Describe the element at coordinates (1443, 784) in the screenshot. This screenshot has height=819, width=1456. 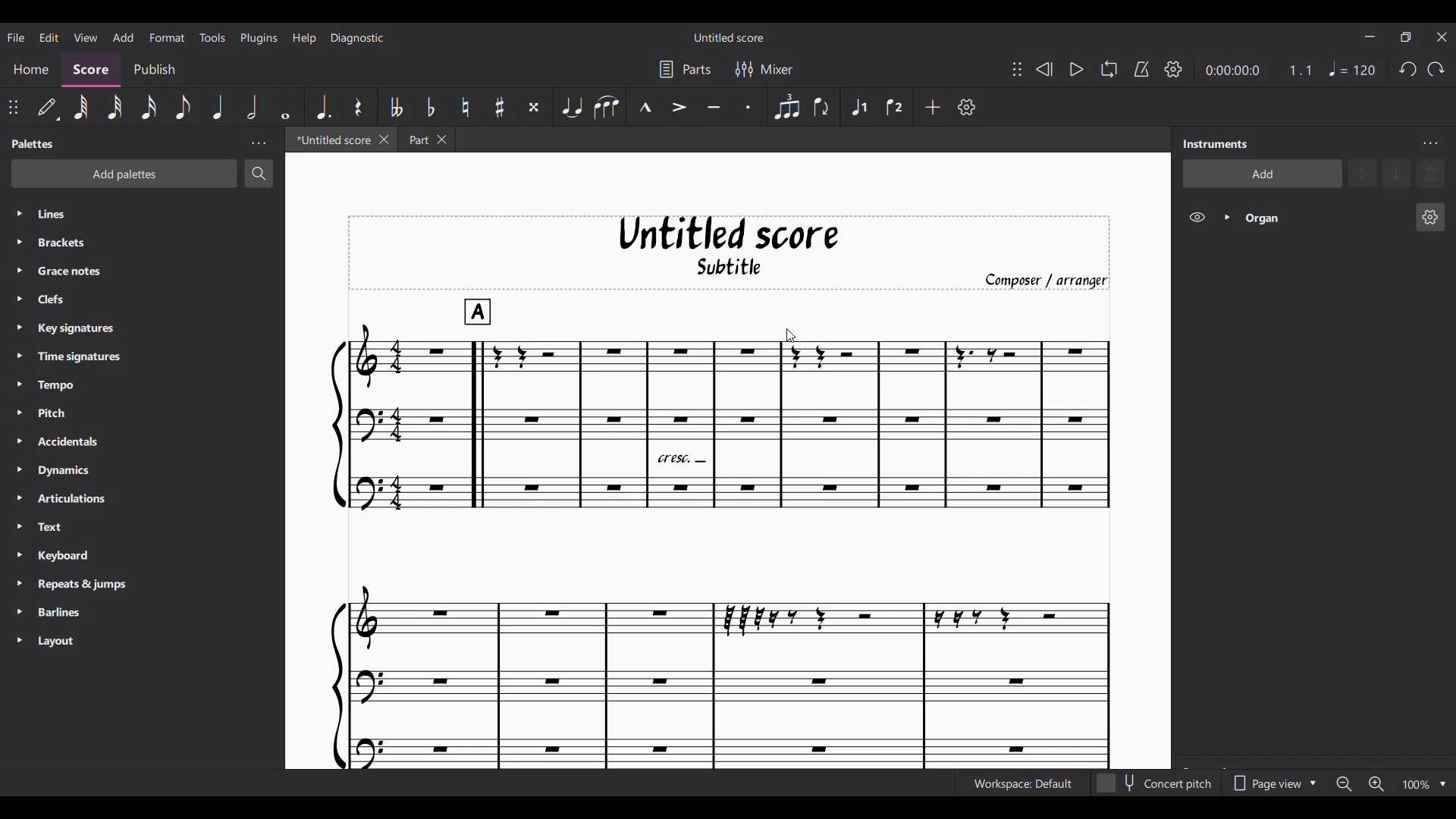
I see `Zoom options` at that location.